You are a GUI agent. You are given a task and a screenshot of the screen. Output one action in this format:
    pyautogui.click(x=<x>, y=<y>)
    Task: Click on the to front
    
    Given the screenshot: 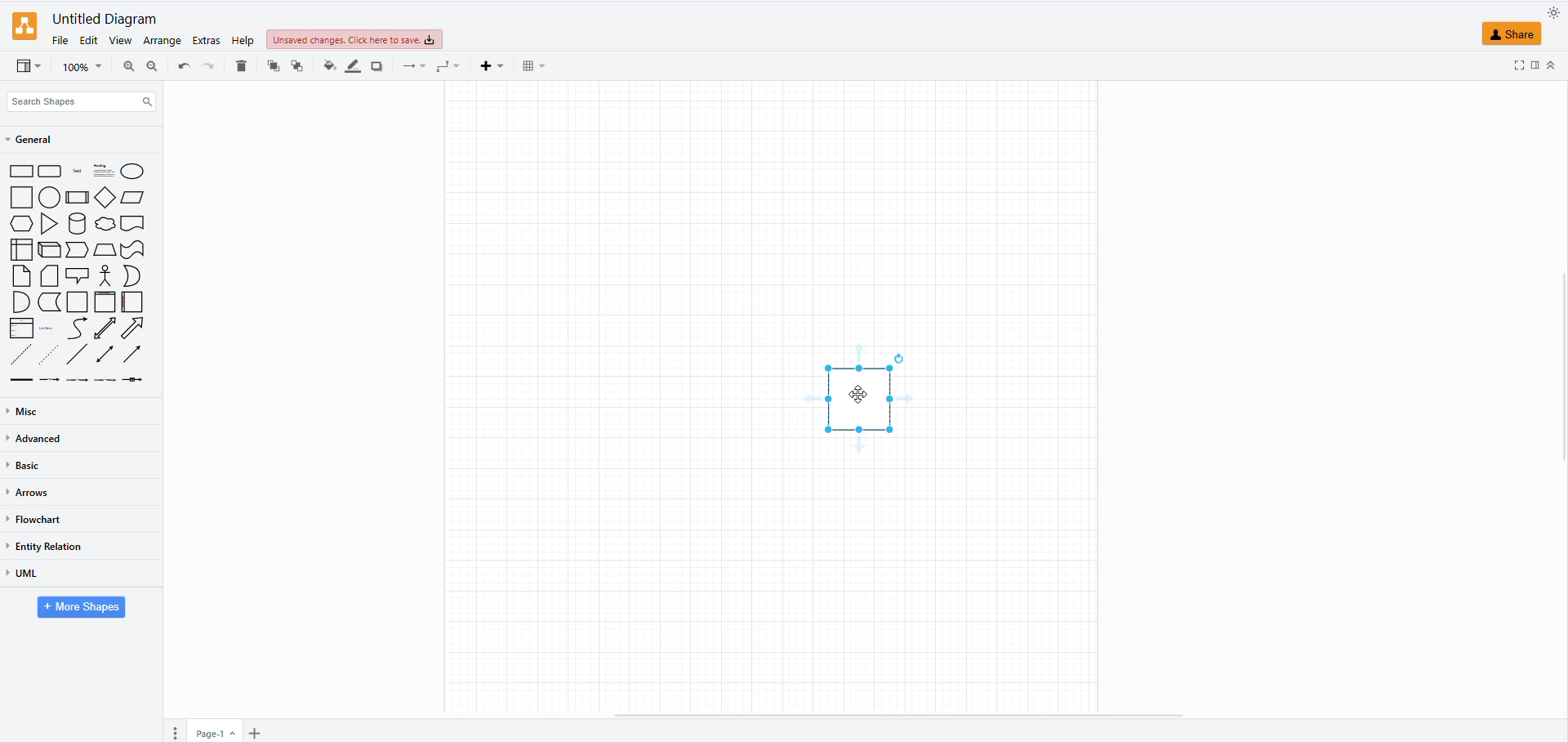 What is the action you would take?
    pyautogui.click(x=296, y=65)
    